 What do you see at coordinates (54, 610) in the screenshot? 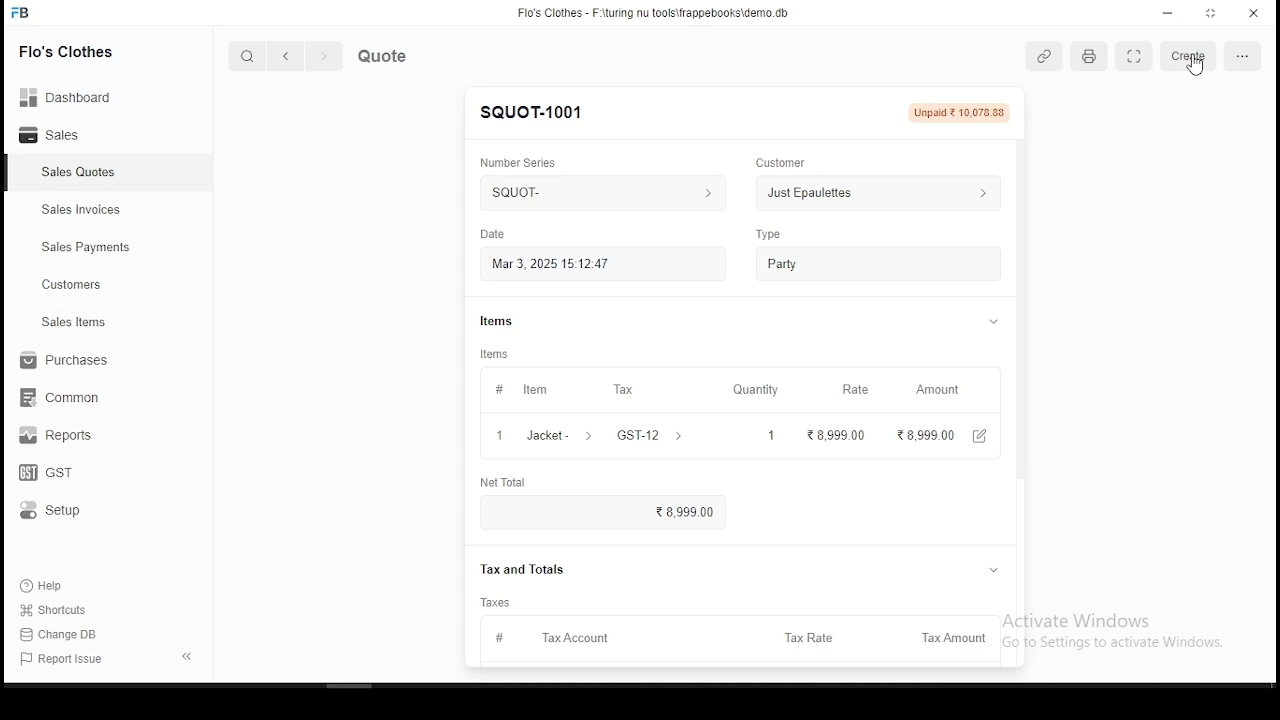
I see `shortouts` at bounding box center [54, 610].